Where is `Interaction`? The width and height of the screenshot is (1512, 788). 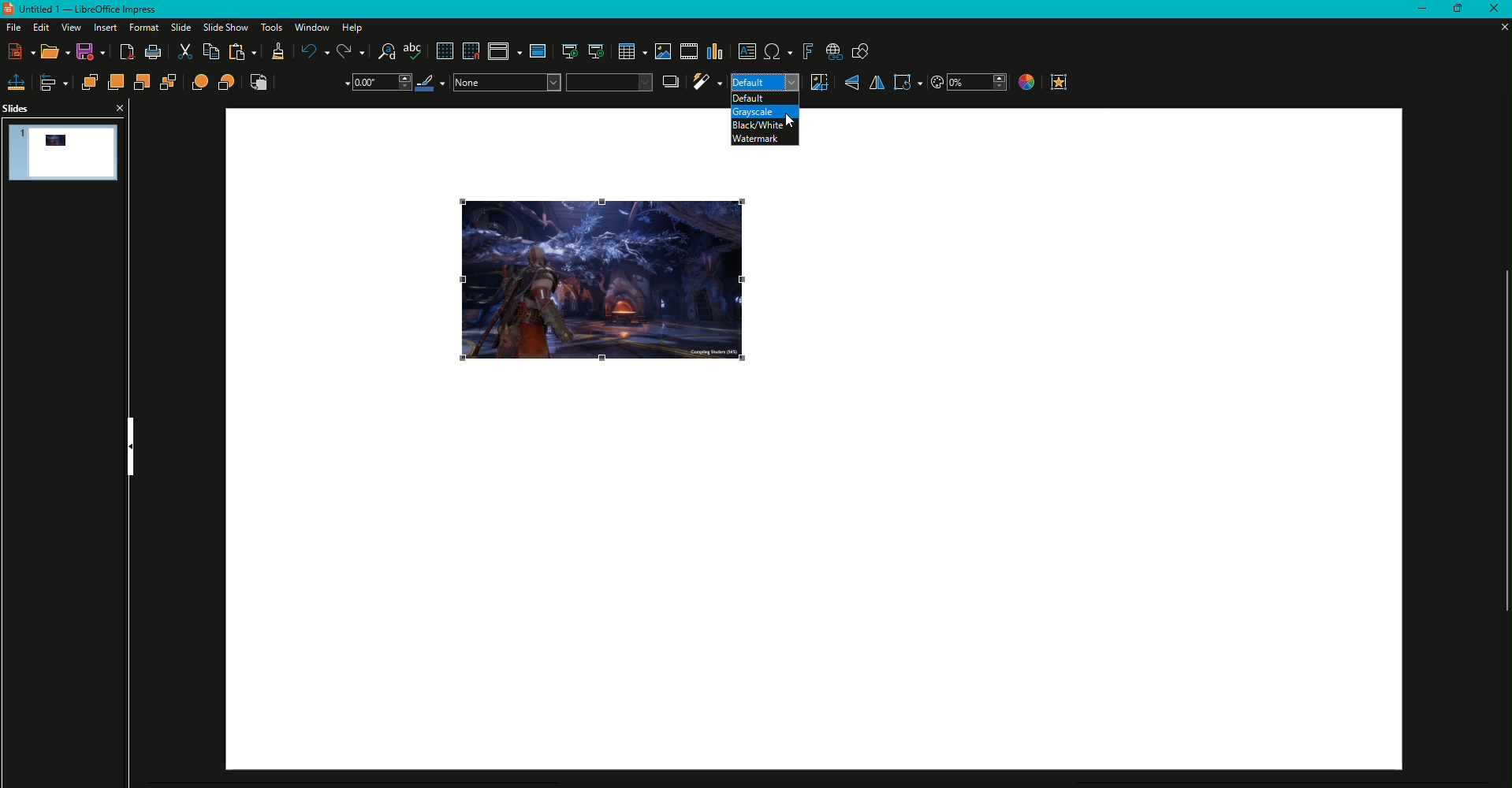
Interaction is located at coordinates (1060, 82).